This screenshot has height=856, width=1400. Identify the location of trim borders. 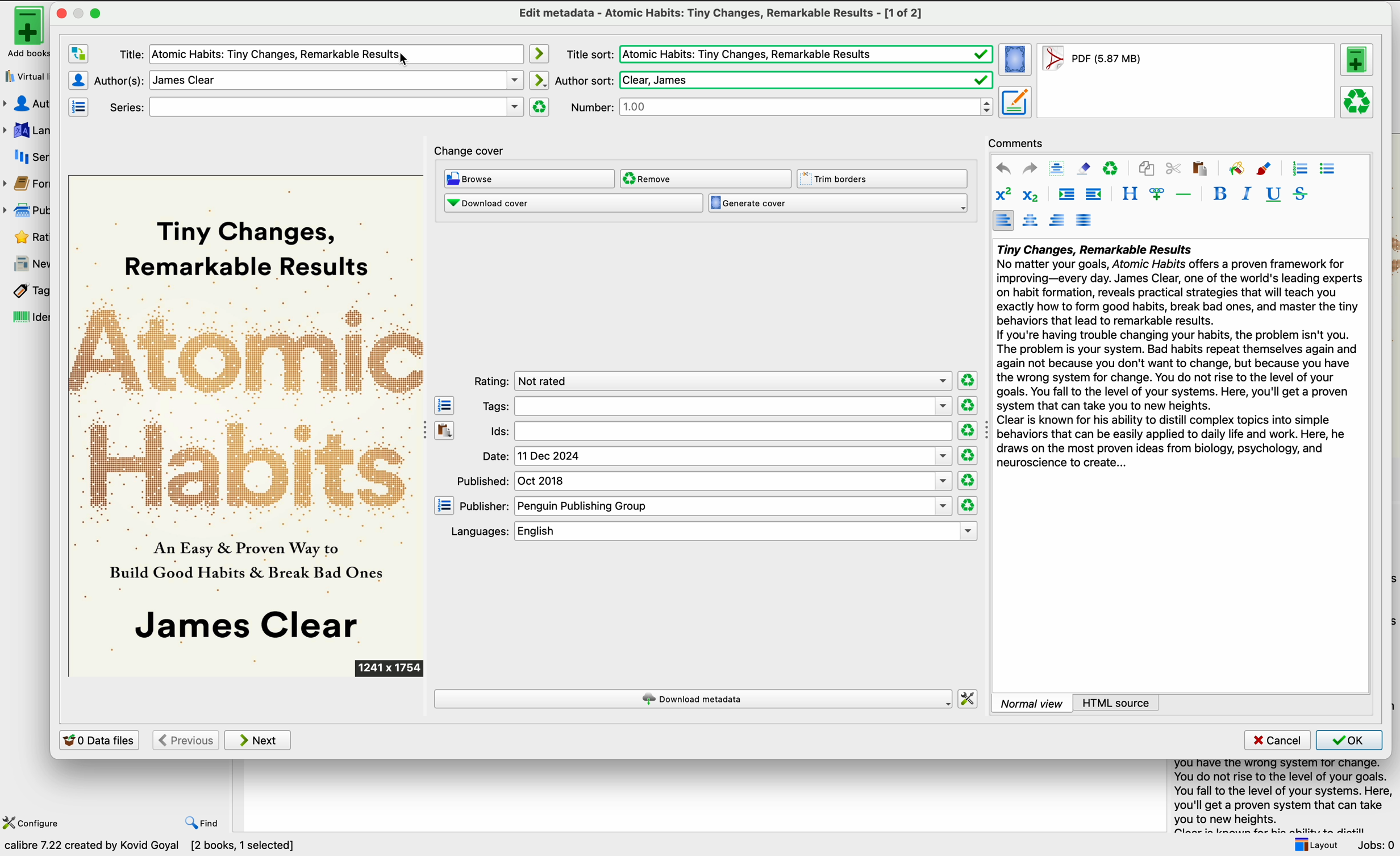
(884, 178).